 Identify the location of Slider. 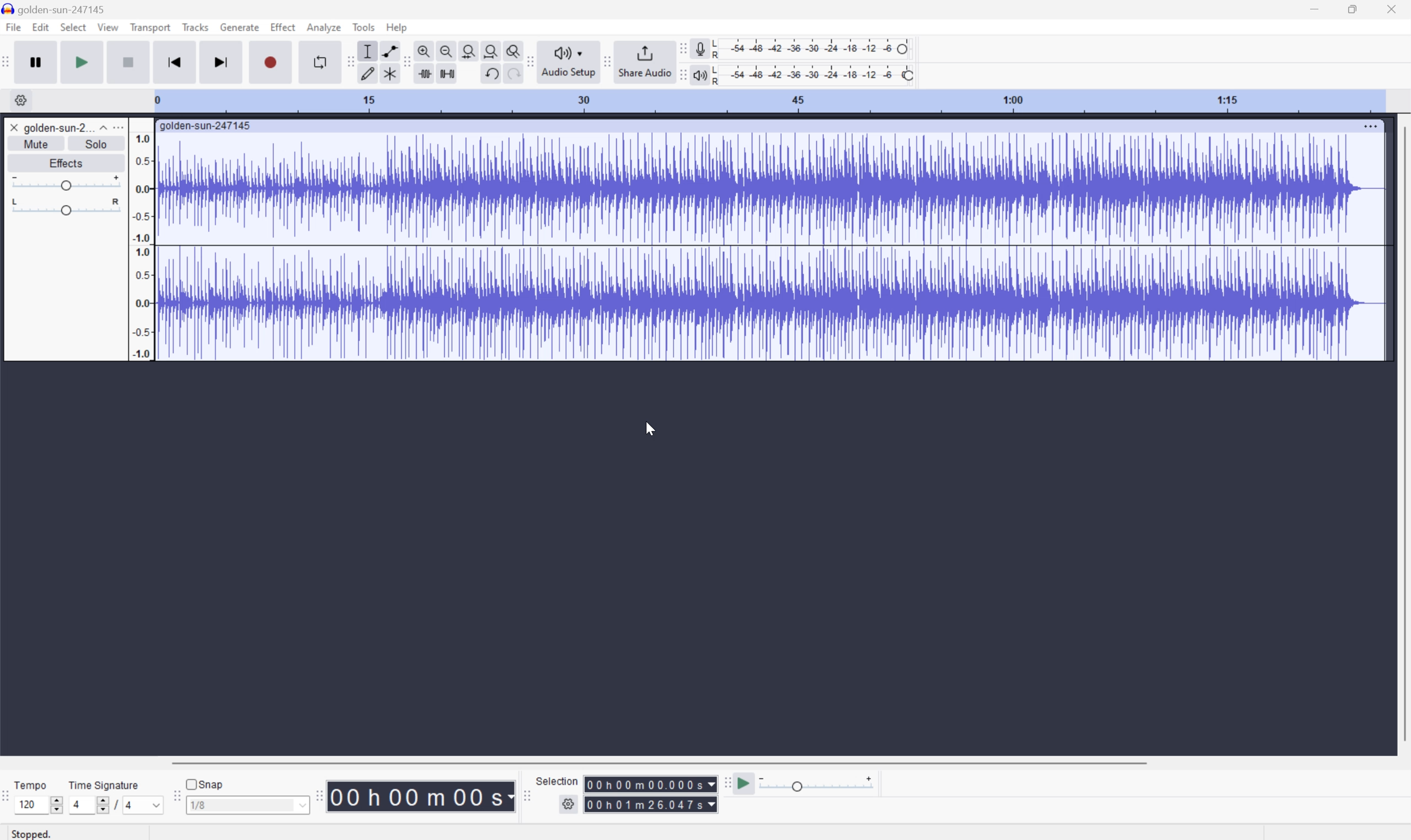
(65, 181).